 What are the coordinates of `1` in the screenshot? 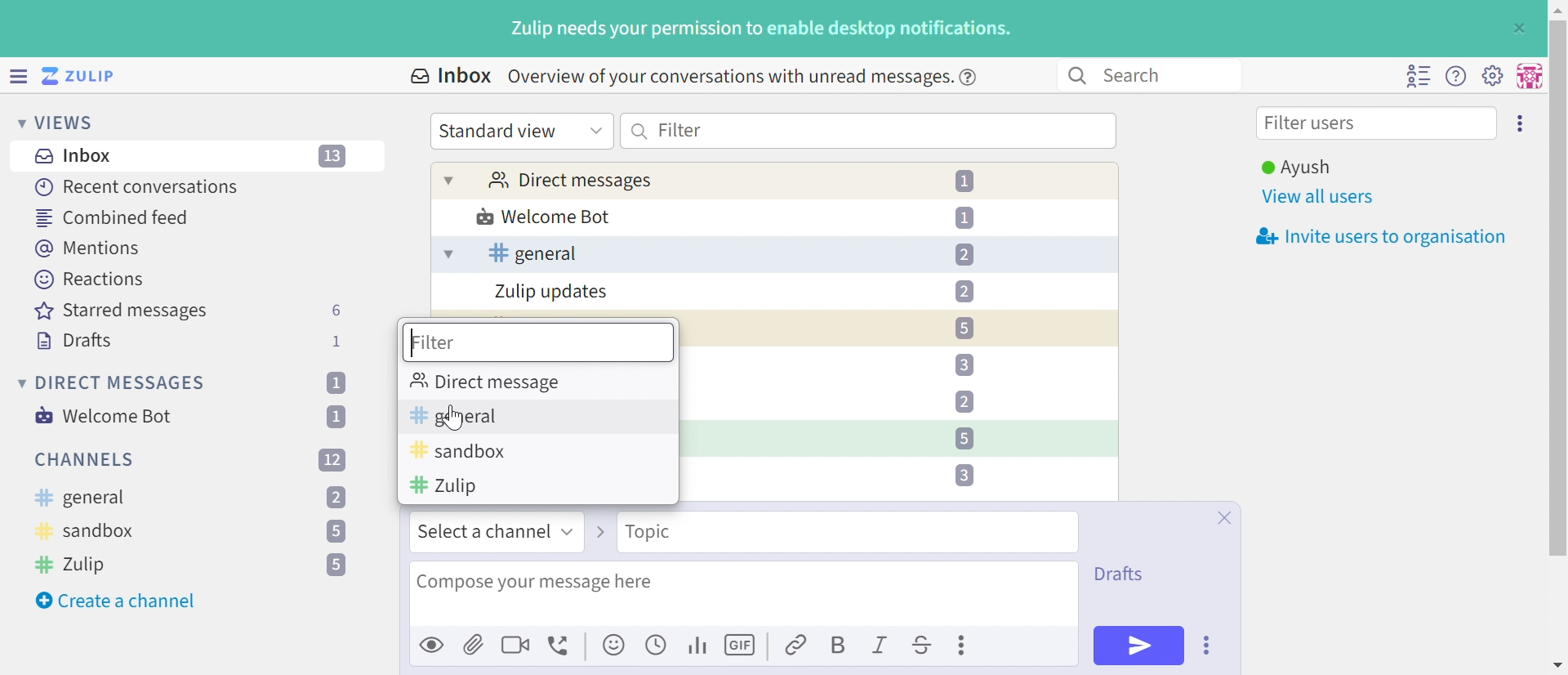 It's located at (340, 416).